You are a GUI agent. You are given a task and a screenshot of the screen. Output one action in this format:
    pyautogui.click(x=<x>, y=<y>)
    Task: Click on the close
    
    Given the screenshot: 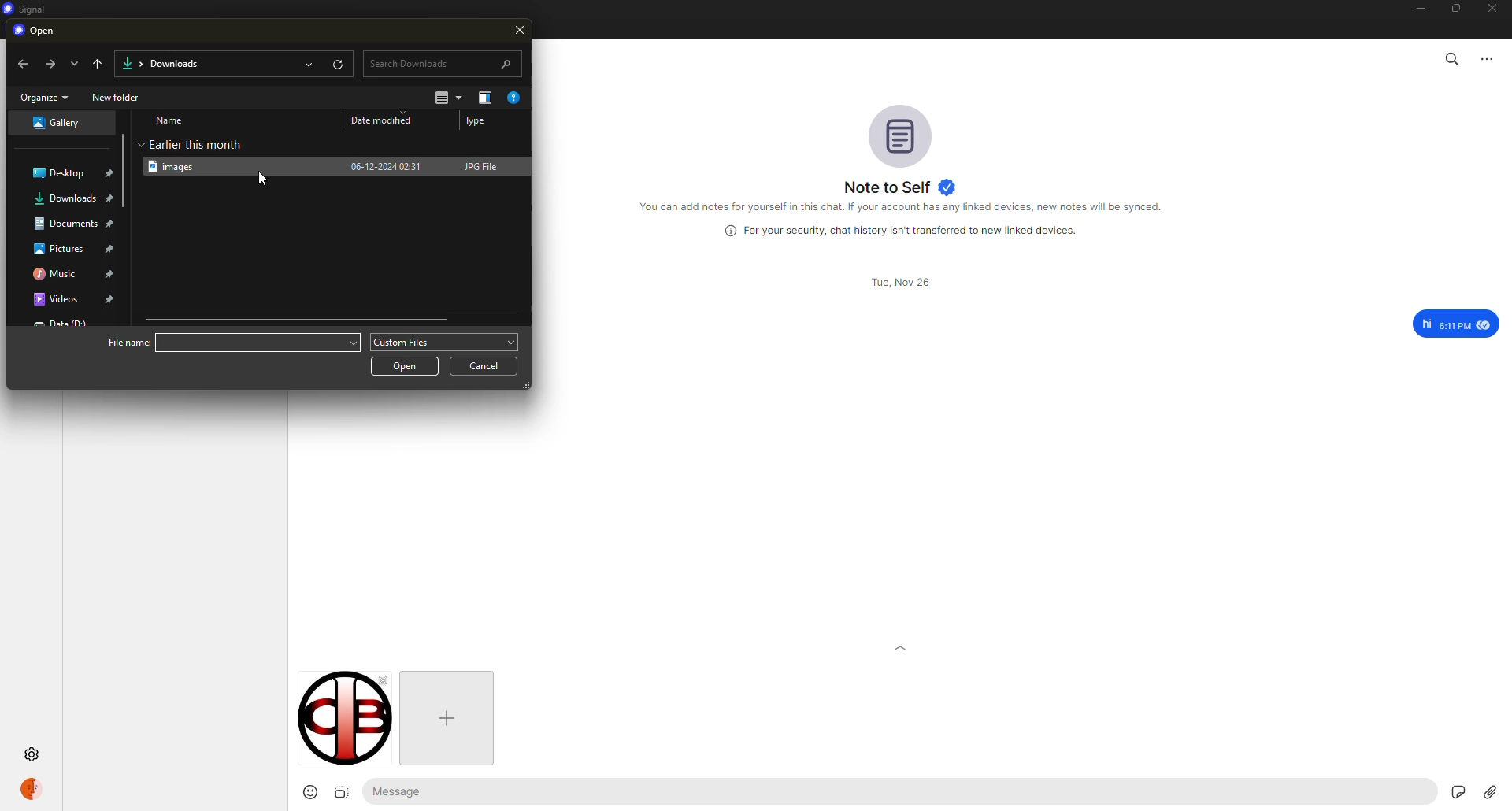 What is the action you would take?
    pyautogui.click(x=521, y=31)
    